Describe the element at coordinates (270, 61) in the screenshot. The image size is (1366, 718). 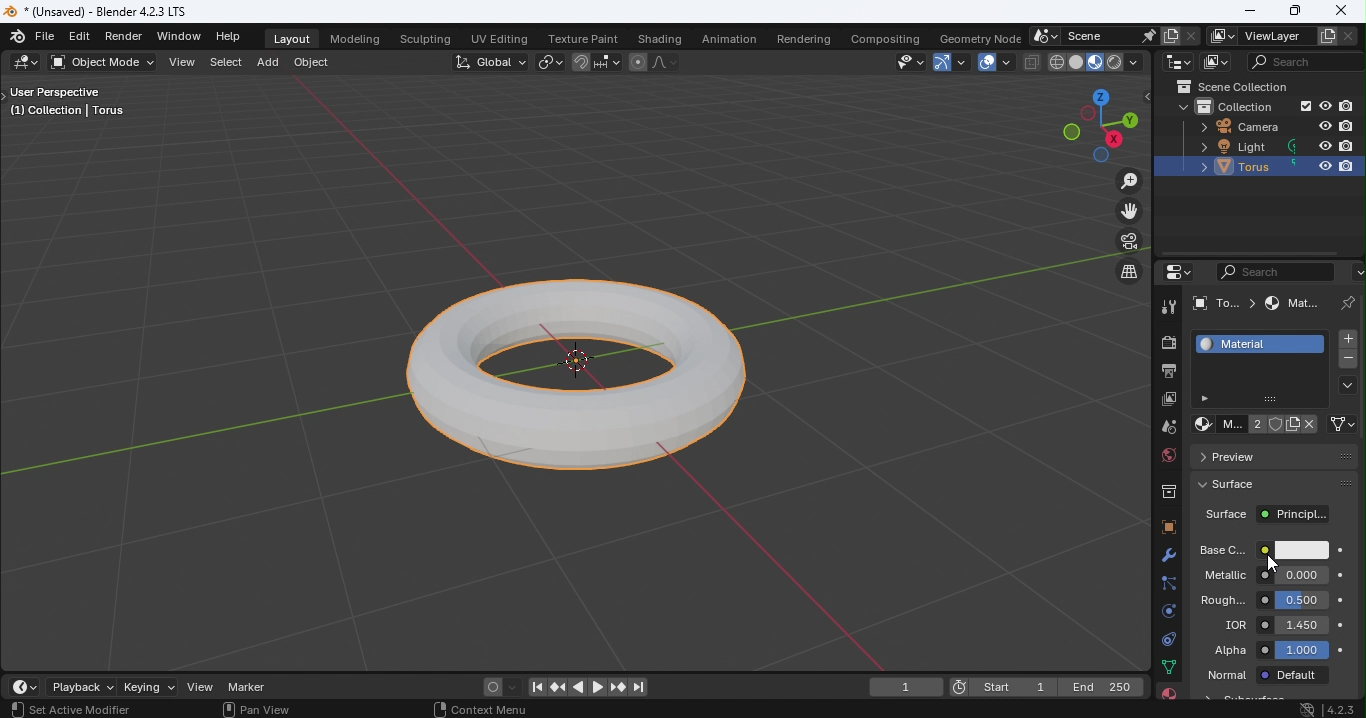
I see `Add` at that location.